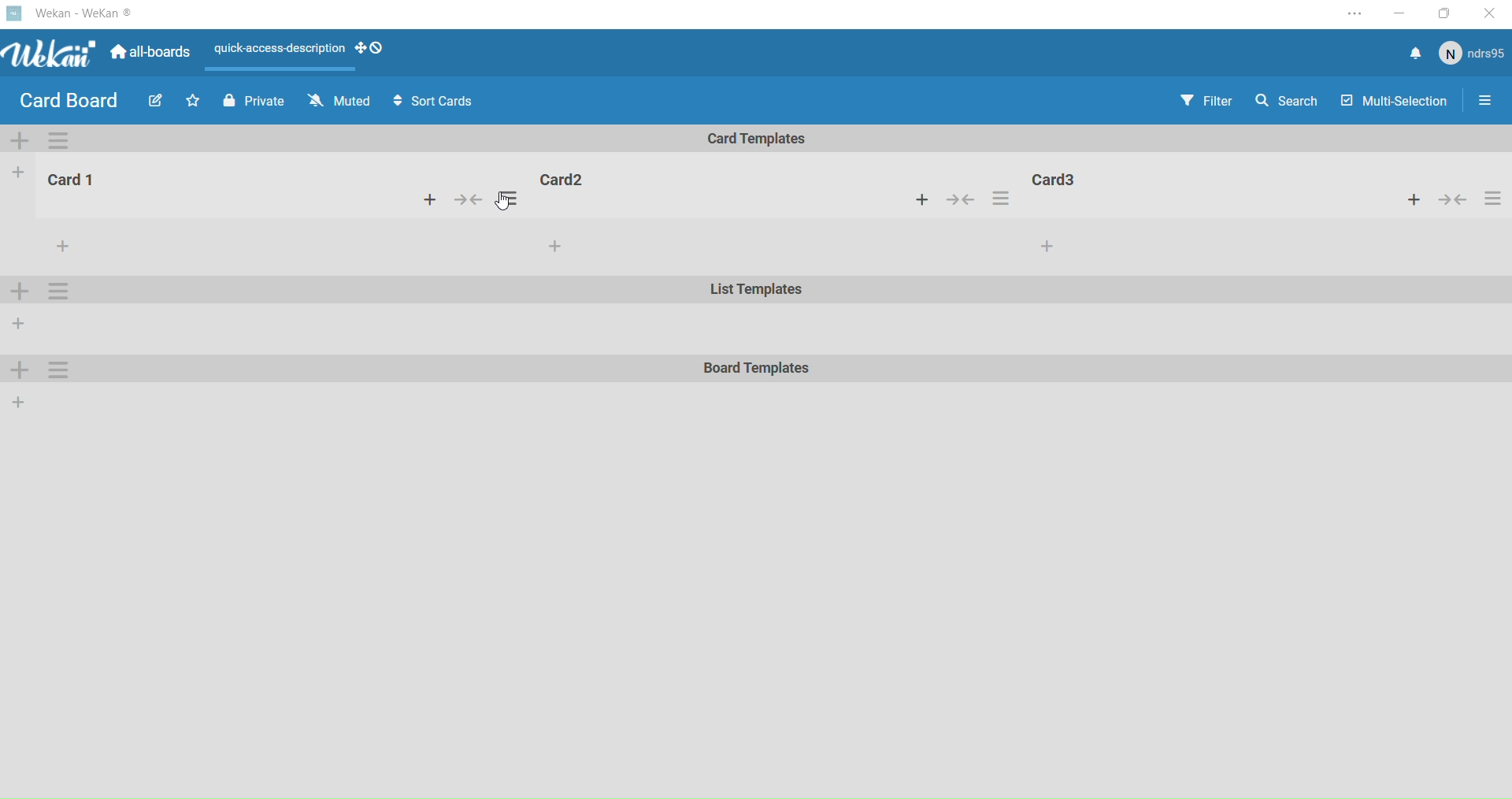 This screenshot has height=799, width=1512. What do you see at coordinates (438, 103) in the screenshot?
I see `Sort Cards` at bounding box center [438, 103].